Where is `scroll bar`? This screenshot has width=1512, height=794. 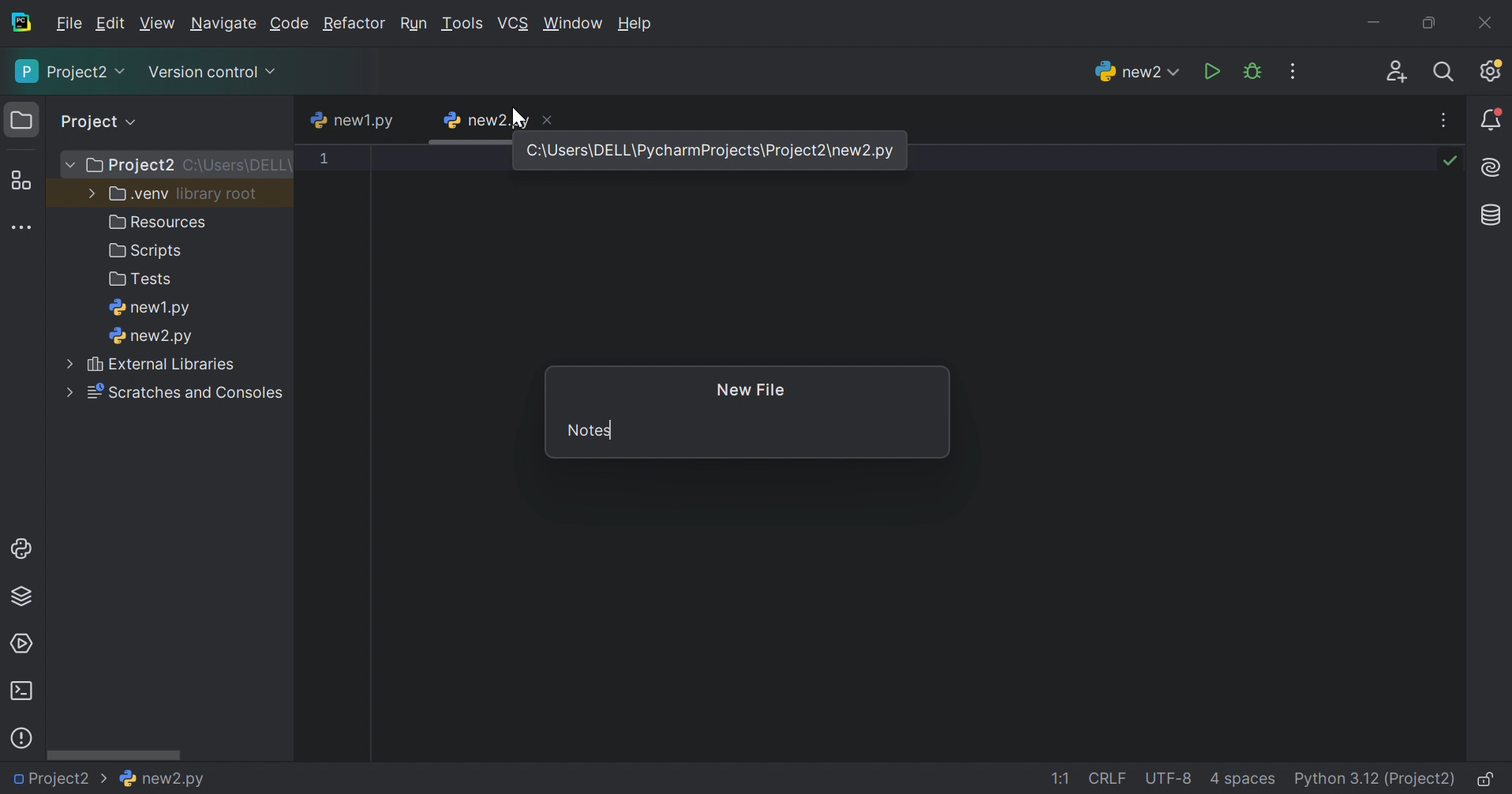
scroll bar is located at coordinates (466, 143).